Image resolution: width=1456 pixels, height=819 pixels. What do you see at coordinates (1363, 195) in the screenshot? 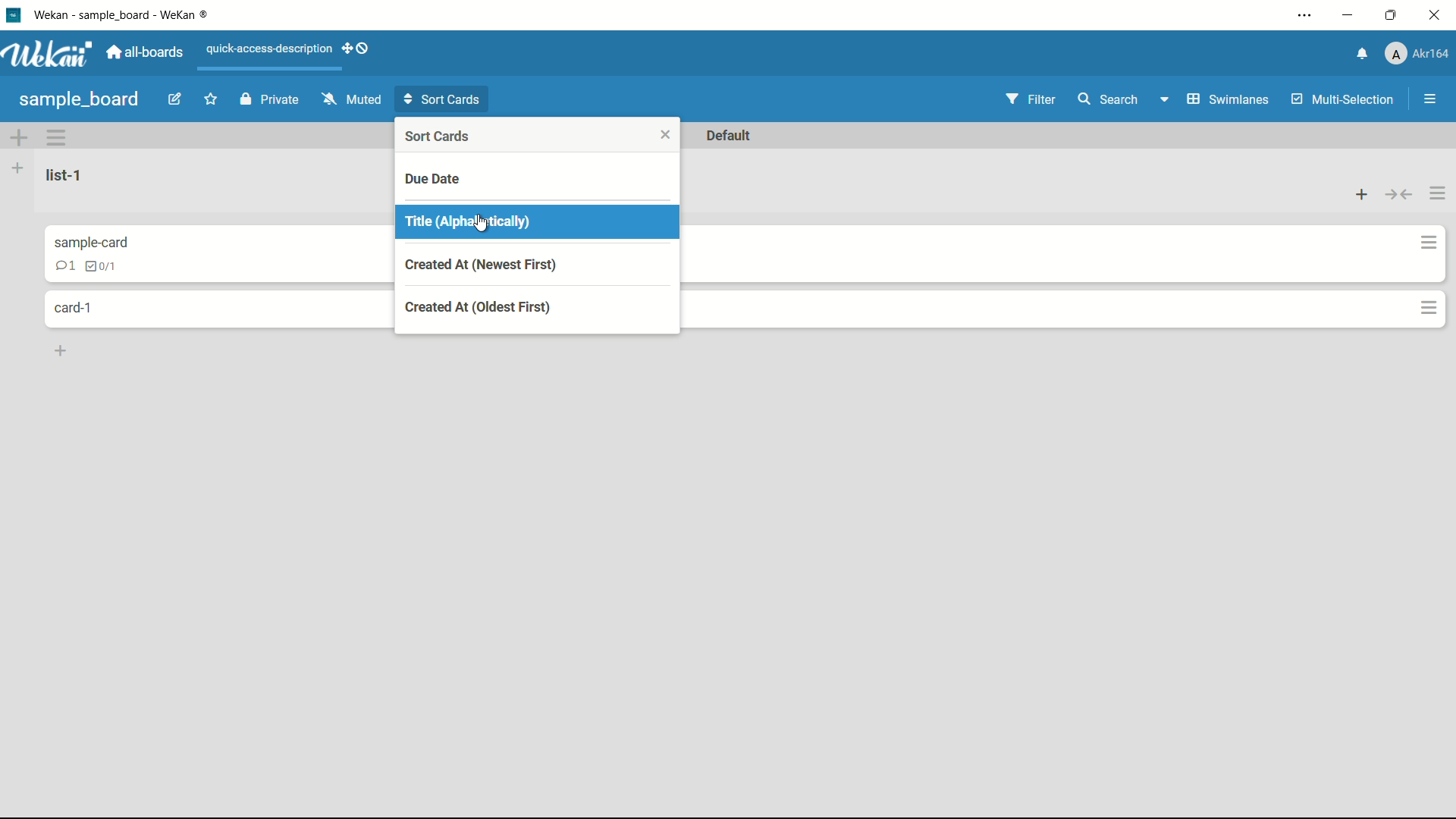
I see `add card` at bounding box center [1363, 195].